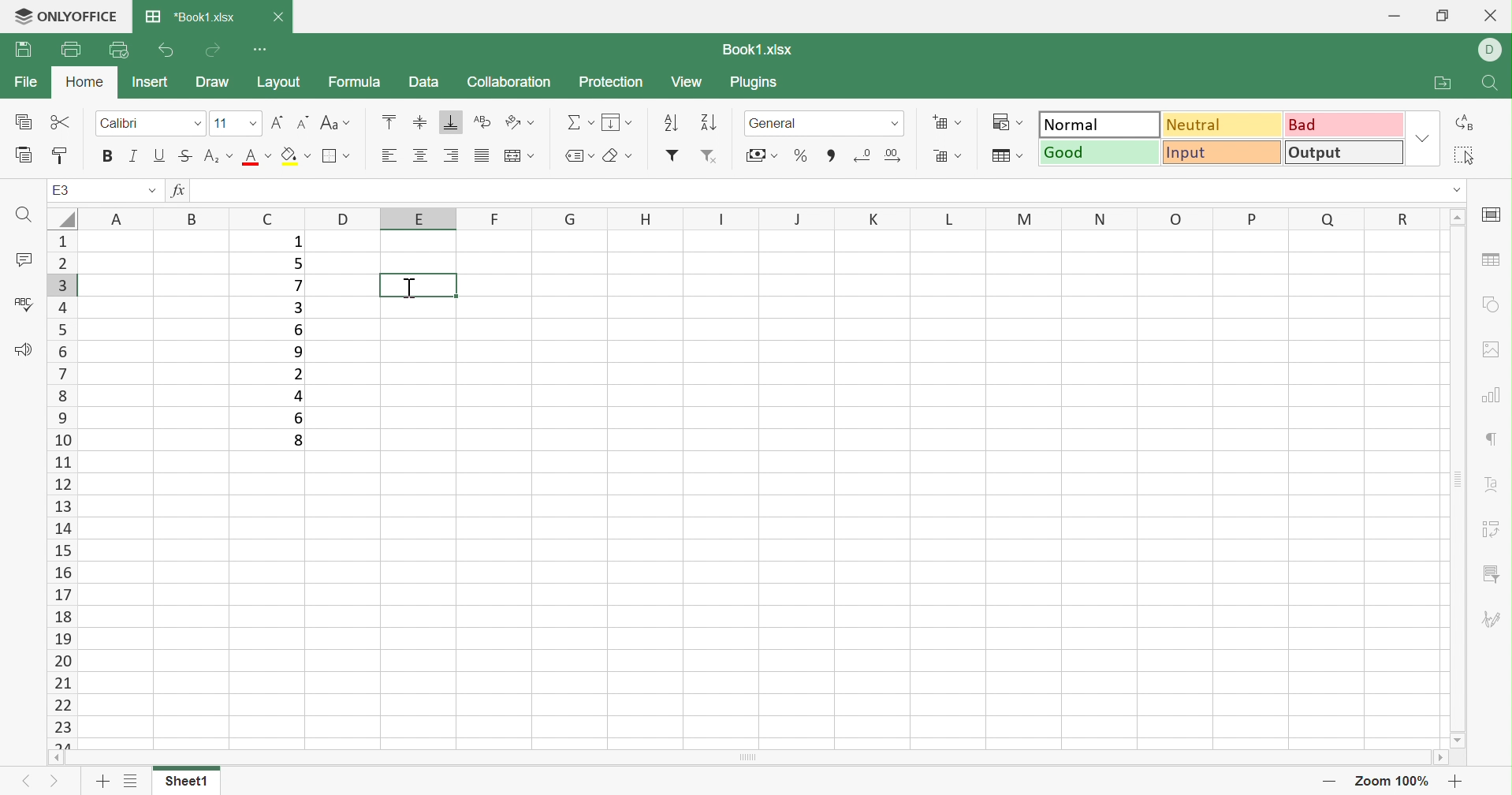 This screenshot has width=1512, height=795. Describe the element at coordinates (754, 84) in the screenshot. I see `Plugins` at that location.